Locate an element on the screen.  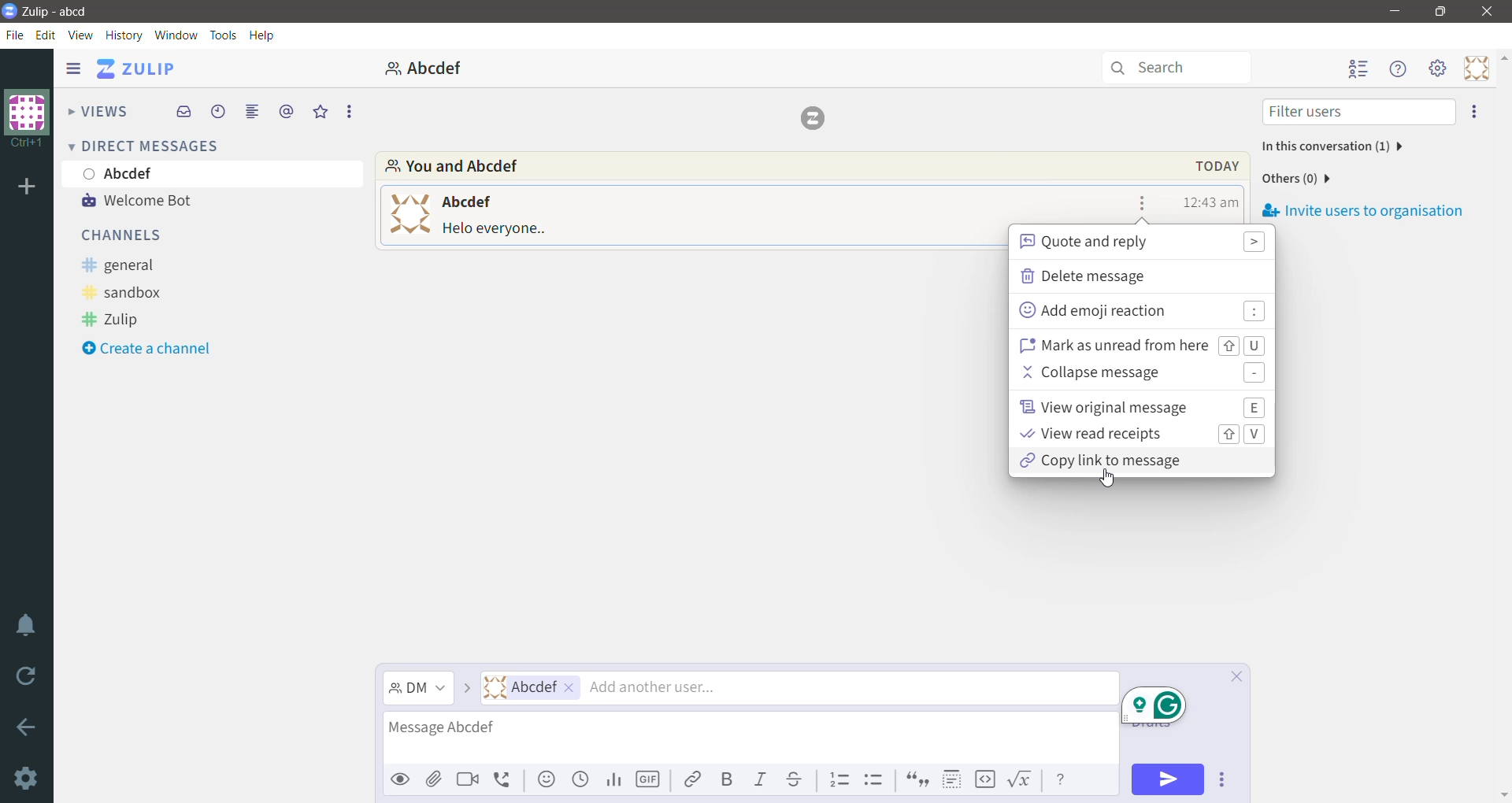
Restore Down is located at coordinates (1443, 12).